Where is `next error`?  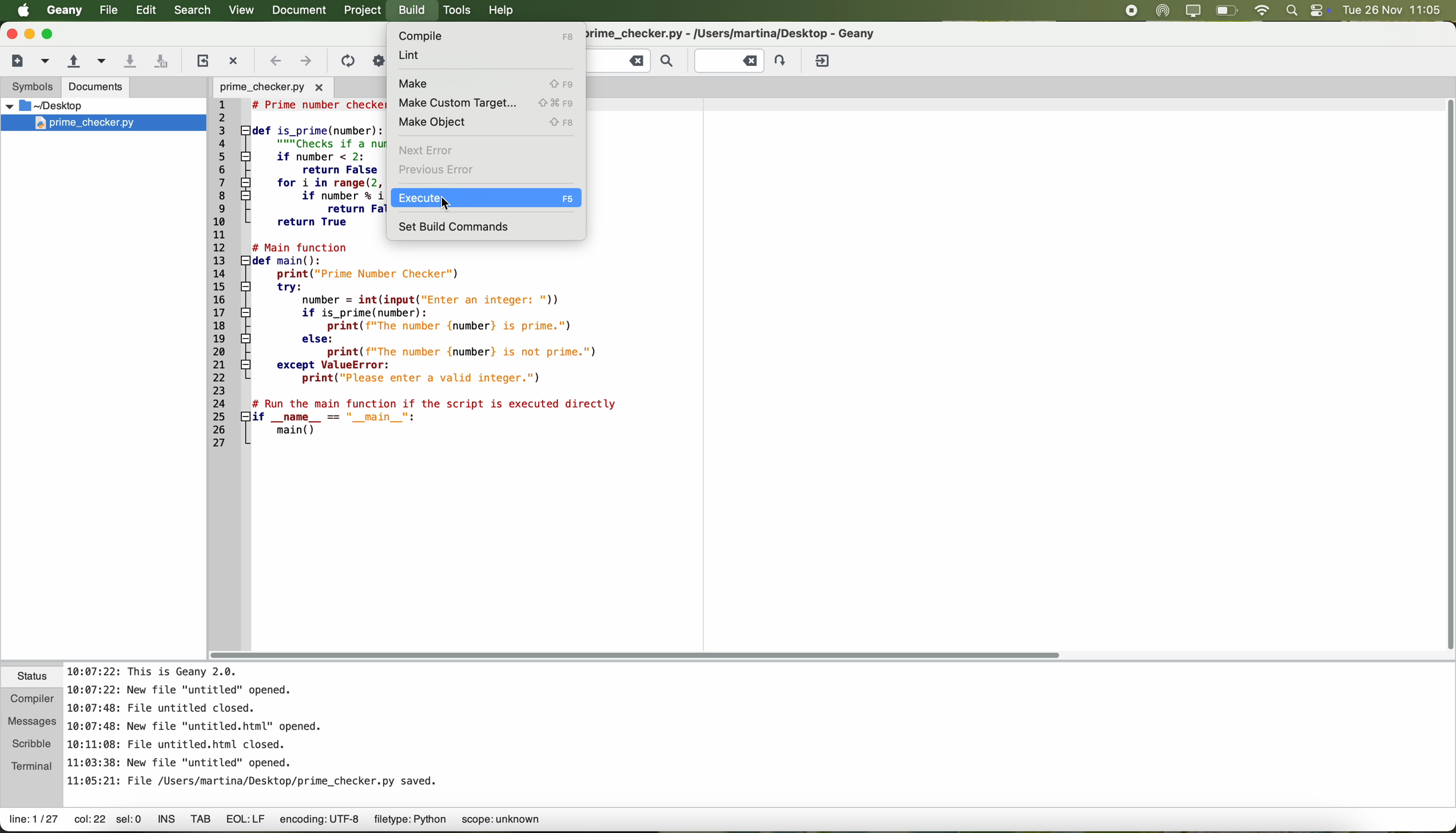 next error is located at coordinates (426, 148).